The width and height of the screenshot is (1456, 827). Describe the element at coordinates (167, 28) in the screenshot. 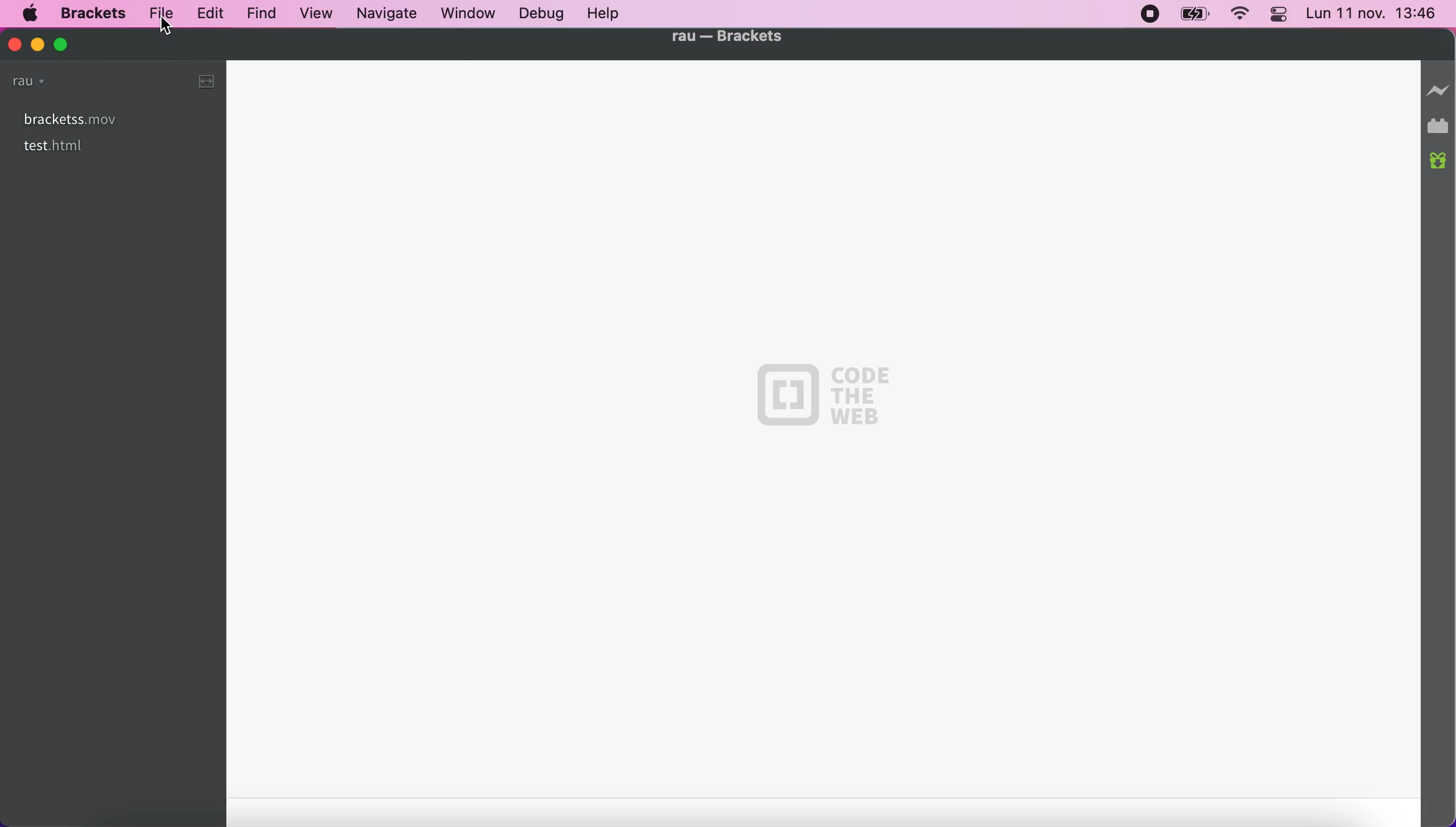

I see `cursor` at that location.